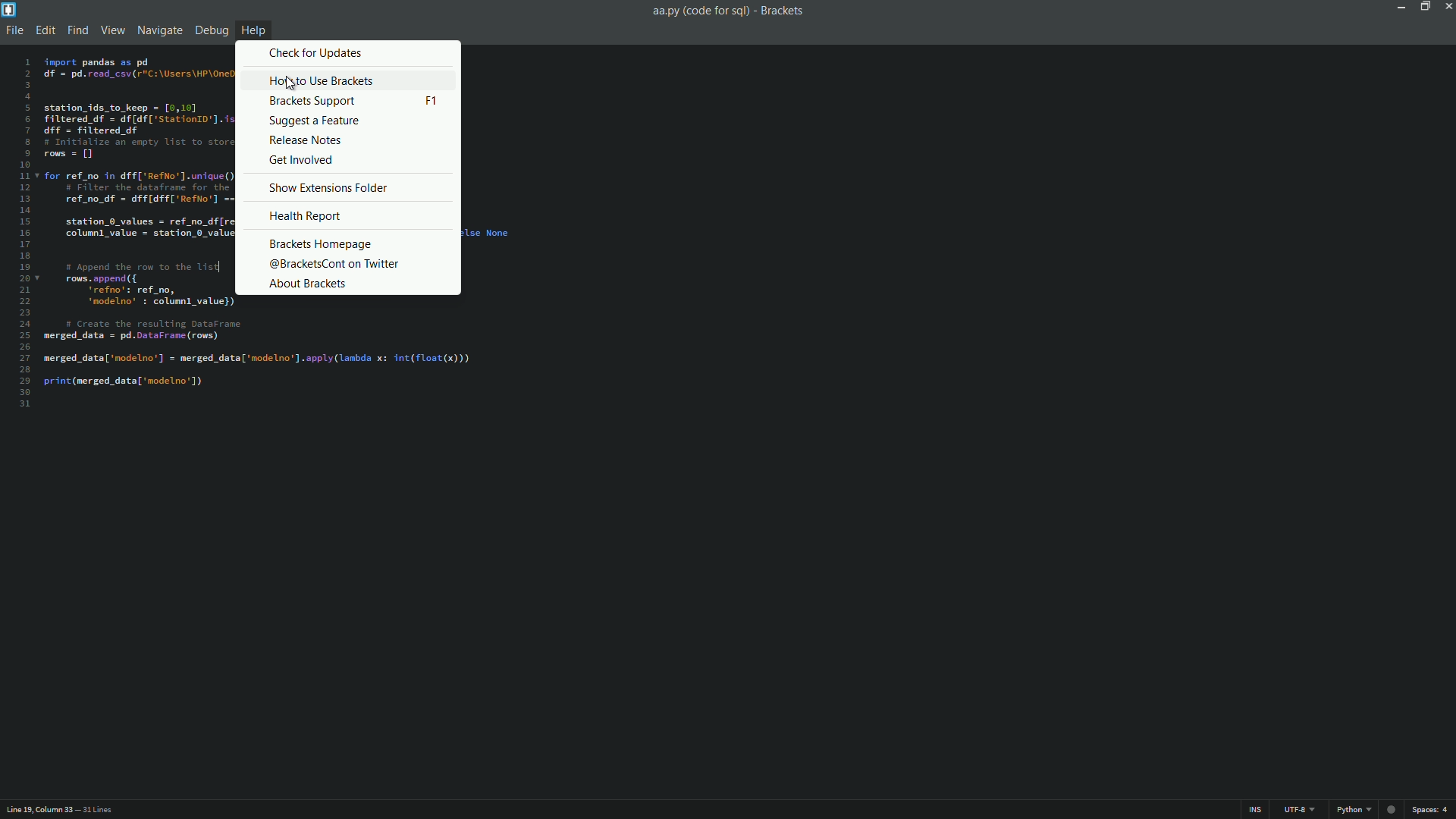 Image resolution: width=1456 pixels, height=819 pixels. I want to click on @bracketscont on twitter, so click(334, 265).